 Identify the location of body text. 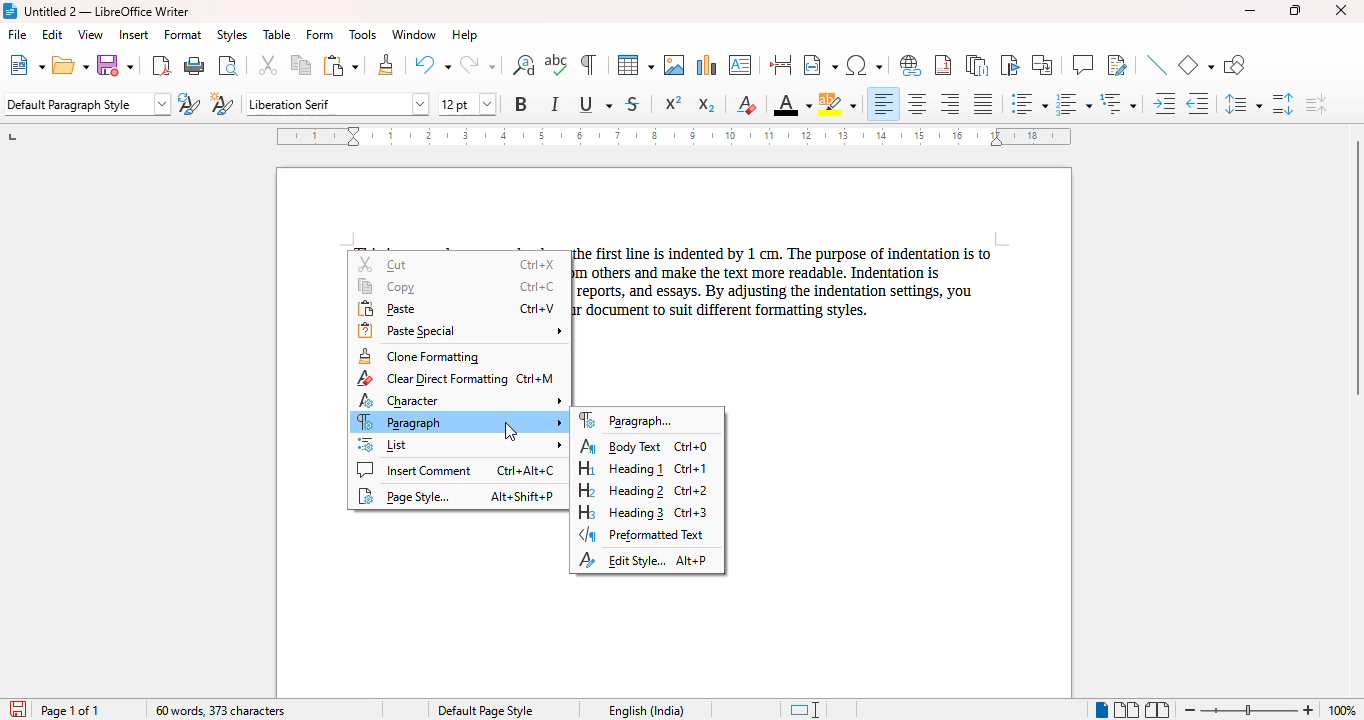
(644, 446).